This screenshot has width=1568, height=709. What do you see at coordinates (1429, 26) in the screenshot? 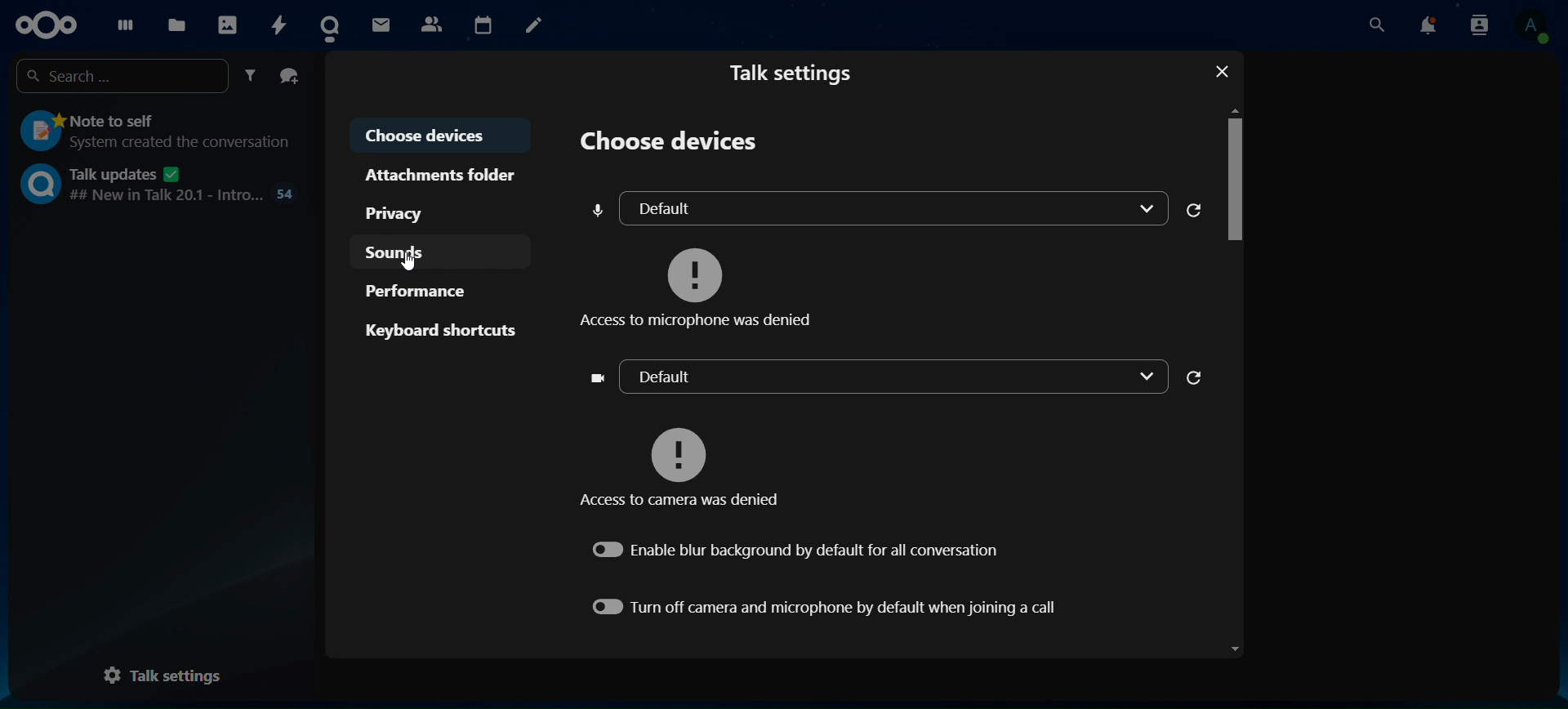
I see `notifications` at bounding box center [1429, 26].